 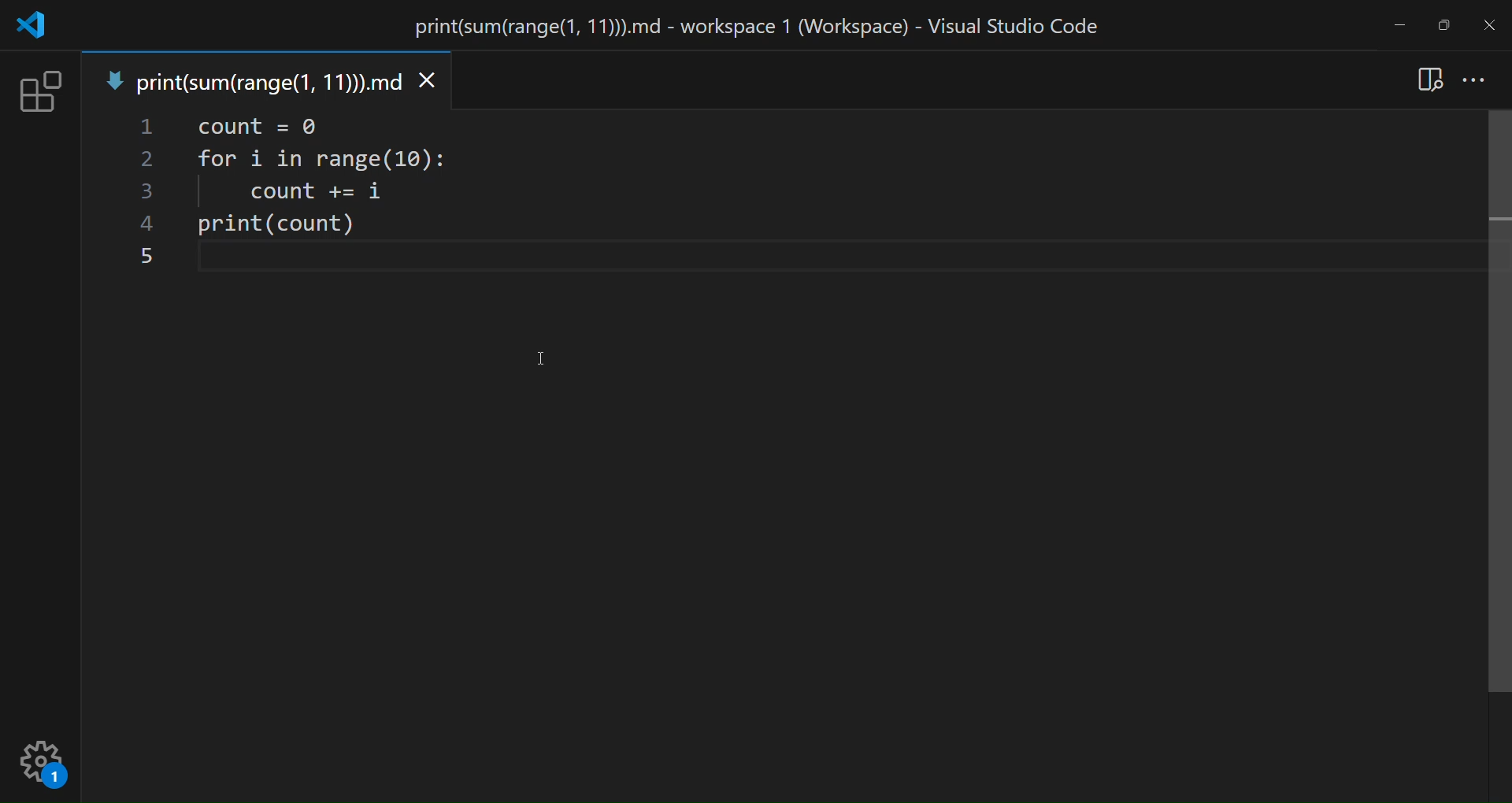 What do you see at coordinates (428, 83) in the screenshot?
I see `close tab` at bounding box center [428, 83].